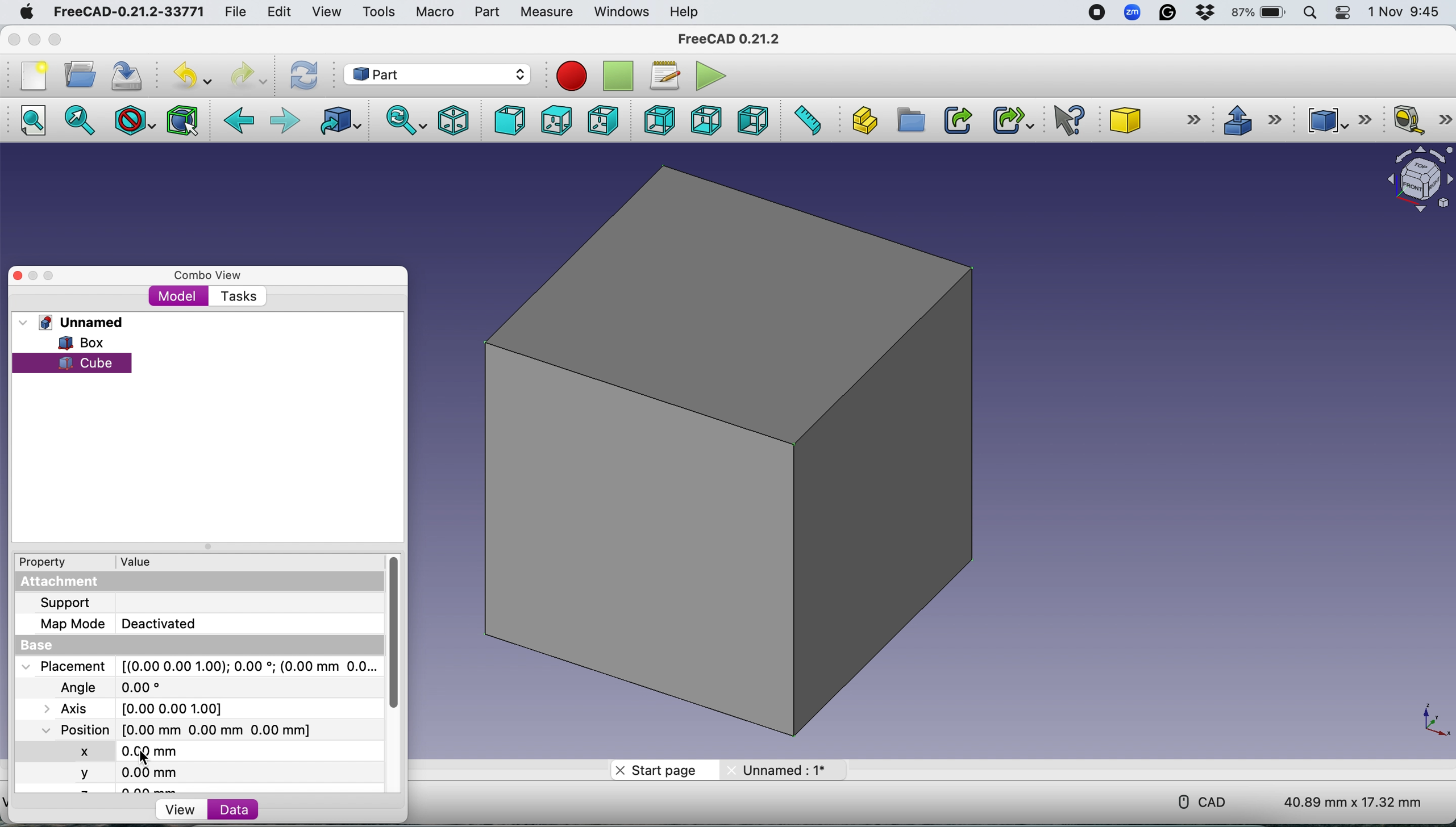 This screenshot has height=827, width=1456. I want to click on Measure linear, so click(1422, 122).